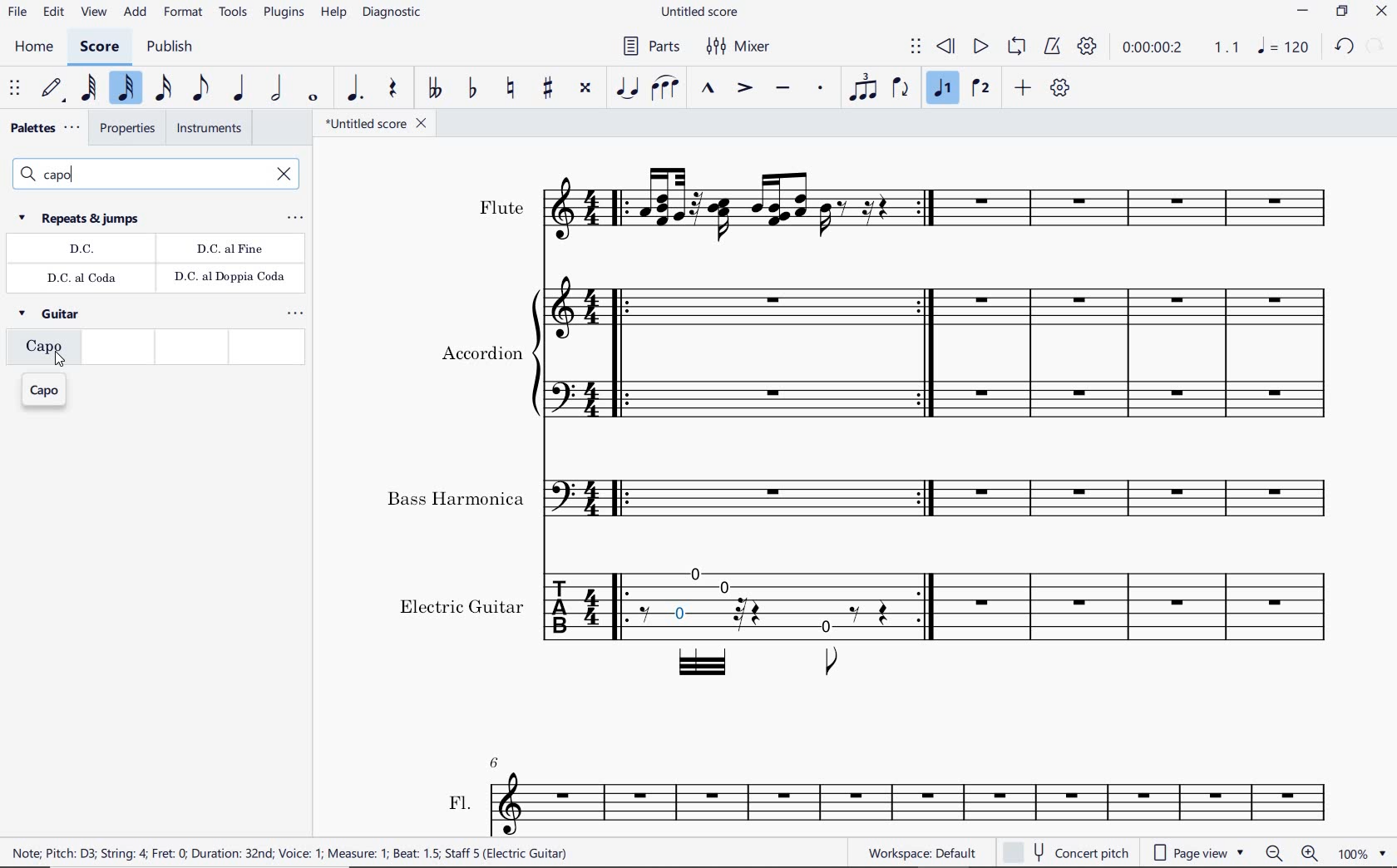 The height and width of the screenshot is (868, 1397). What do you see at coordinates (391, 15) in the screenshot?
I see `diagnostic` at bounding box center [391, 15].